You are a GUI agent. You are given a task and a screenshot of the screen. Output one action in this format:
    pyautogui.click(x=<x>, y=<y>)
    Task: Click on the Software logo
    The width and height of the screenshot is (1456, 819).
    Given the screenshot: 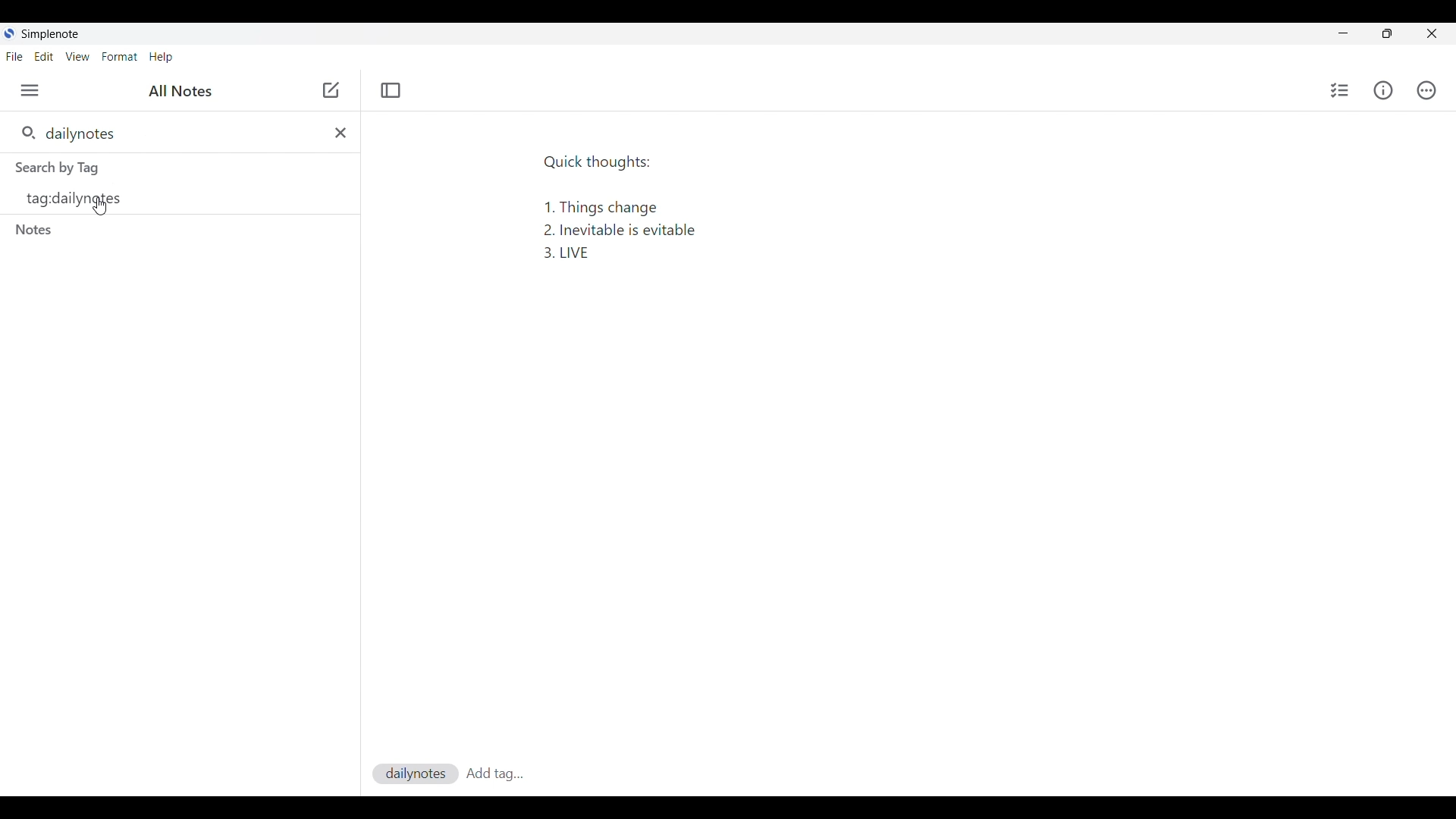 What is the action you would take?
    pyautogui.click(x=10, y=33)
    